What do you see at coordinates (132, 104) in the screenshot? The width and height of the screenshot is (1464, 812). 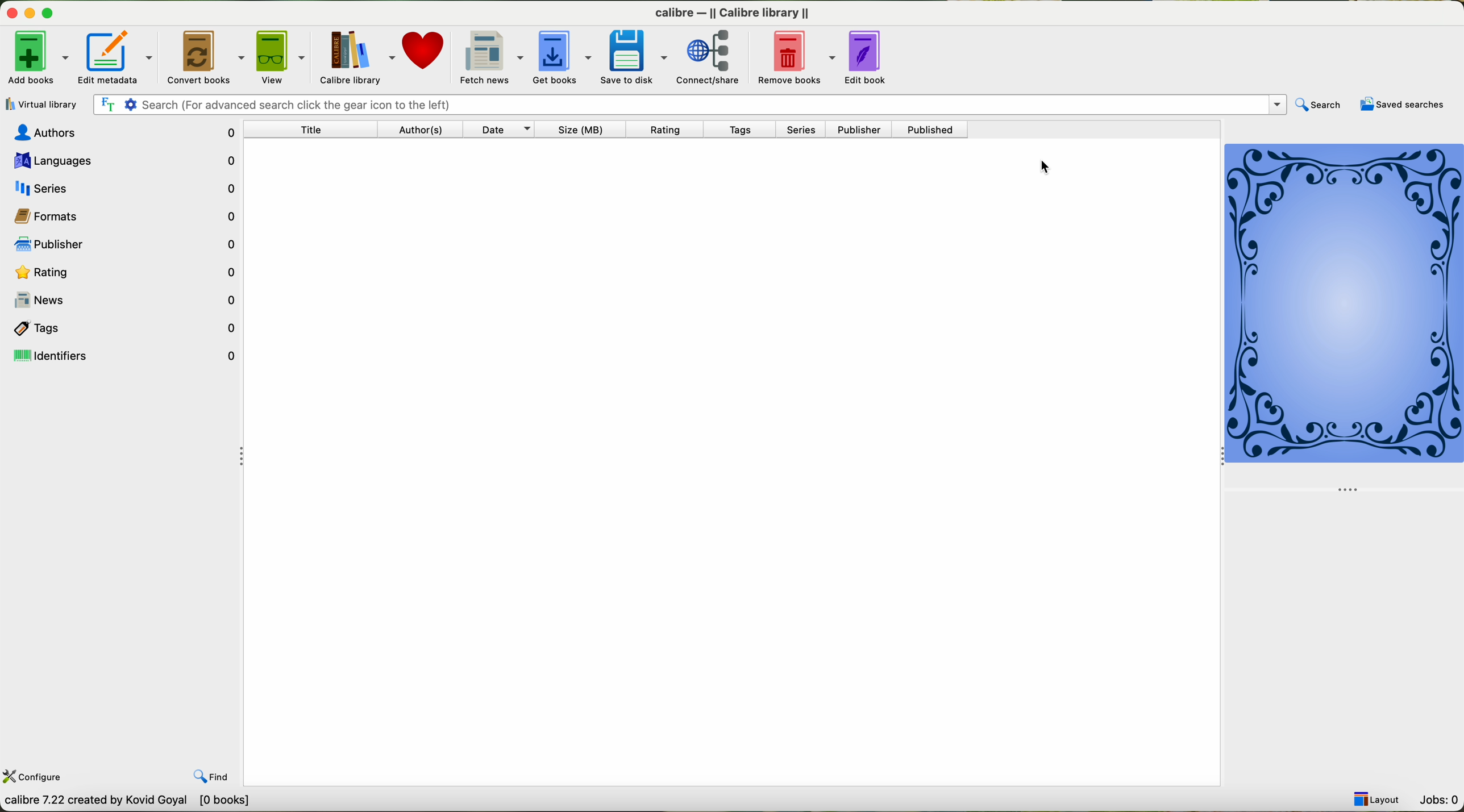 I see `Settings` at bounding box center [132, 104].